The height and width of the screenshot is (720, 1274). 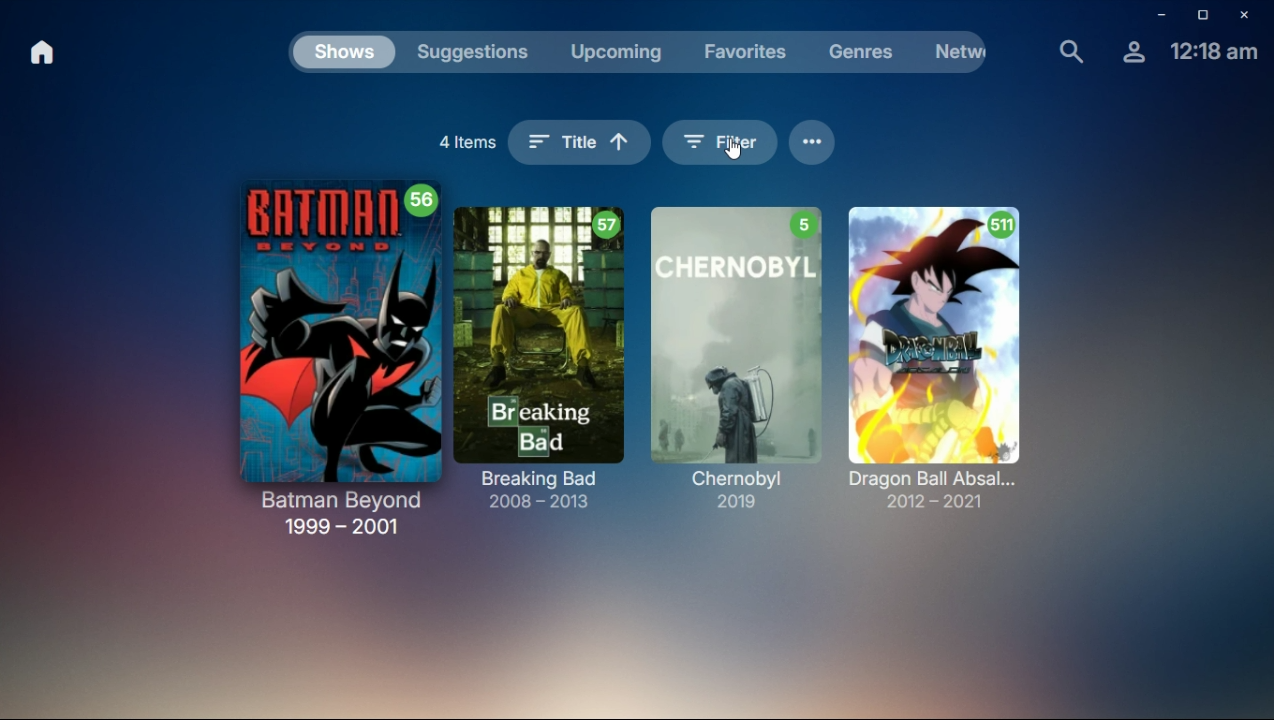 What do you see at coordinates (745, 51) in the screenshot?
I see `favorites` at bounding box center [745, 51].